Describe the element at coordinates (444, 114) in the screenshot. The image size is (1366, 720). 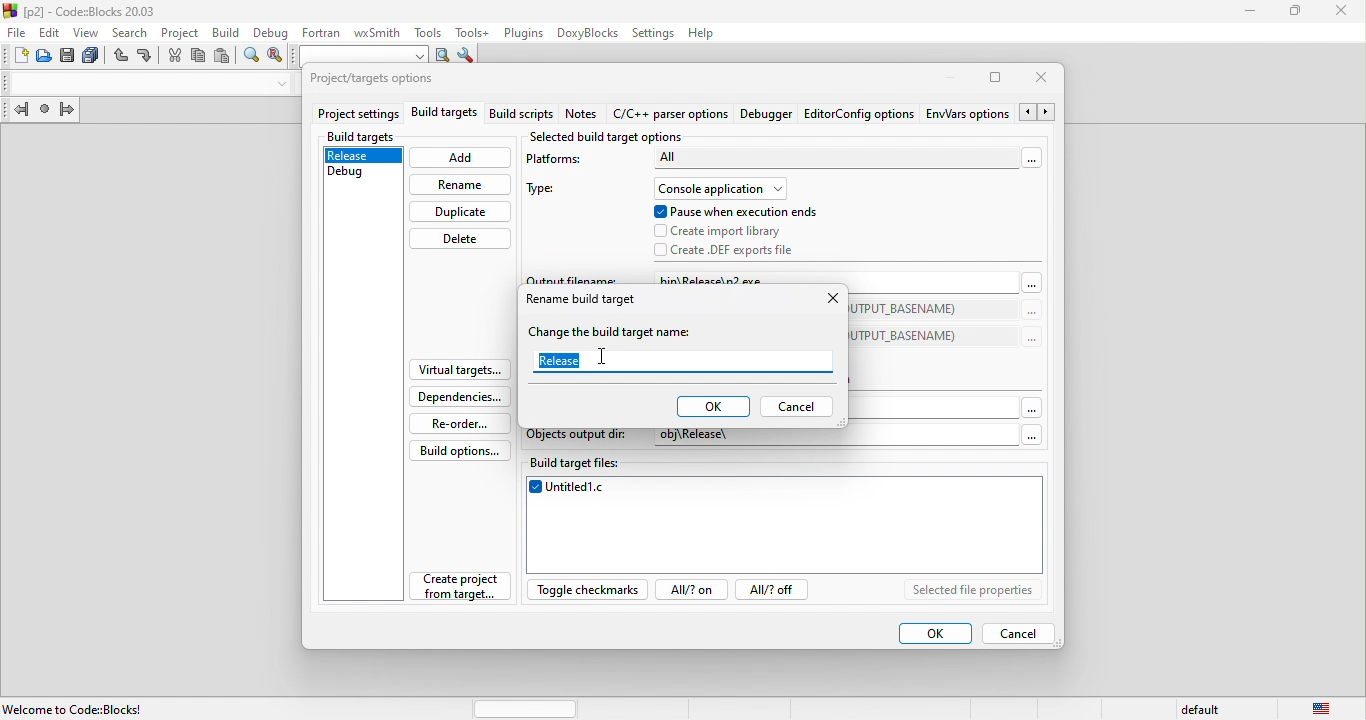
I see `build targets` at that location.